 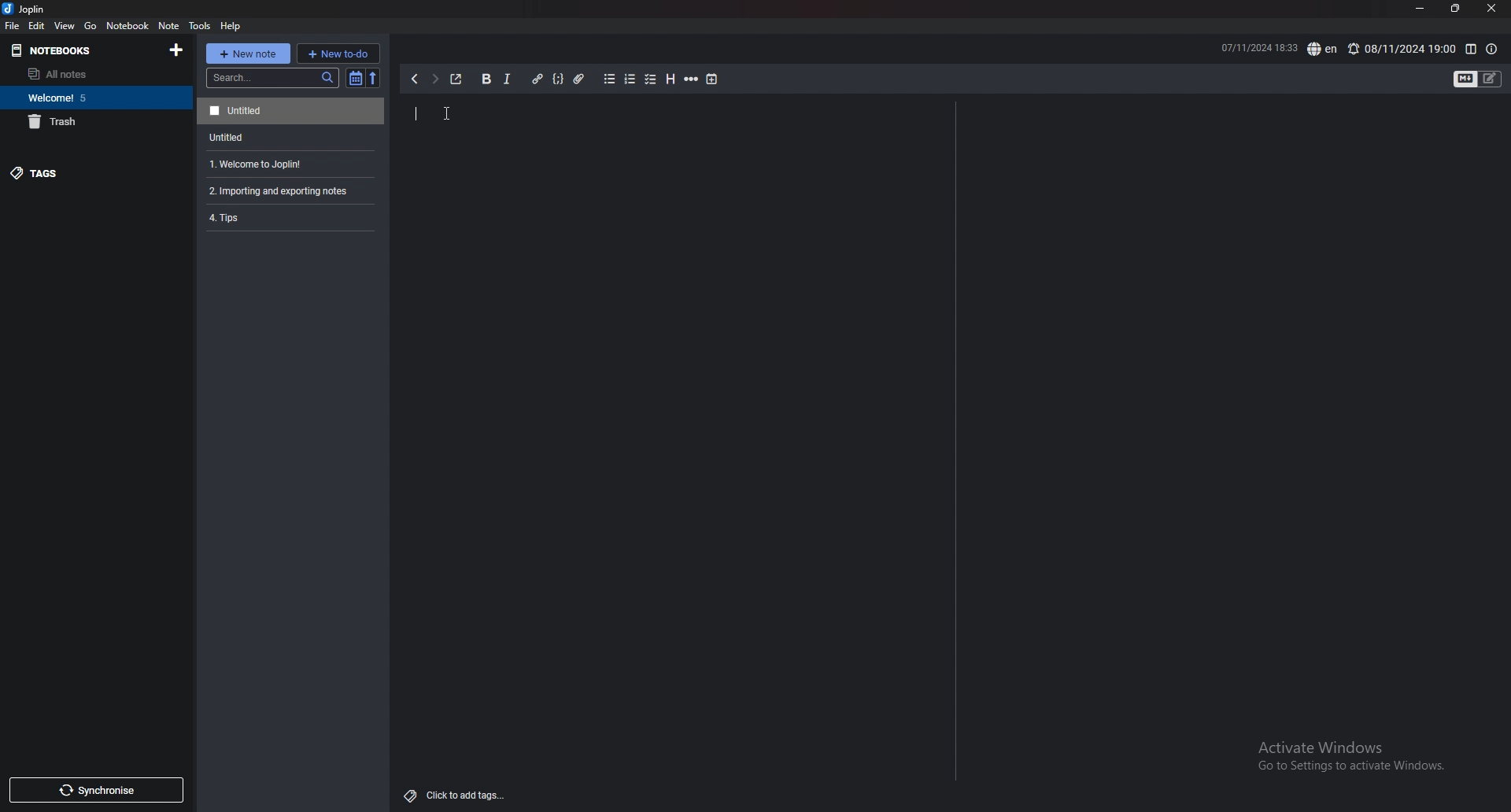 I want to click on view, so click(x=66, y=25).